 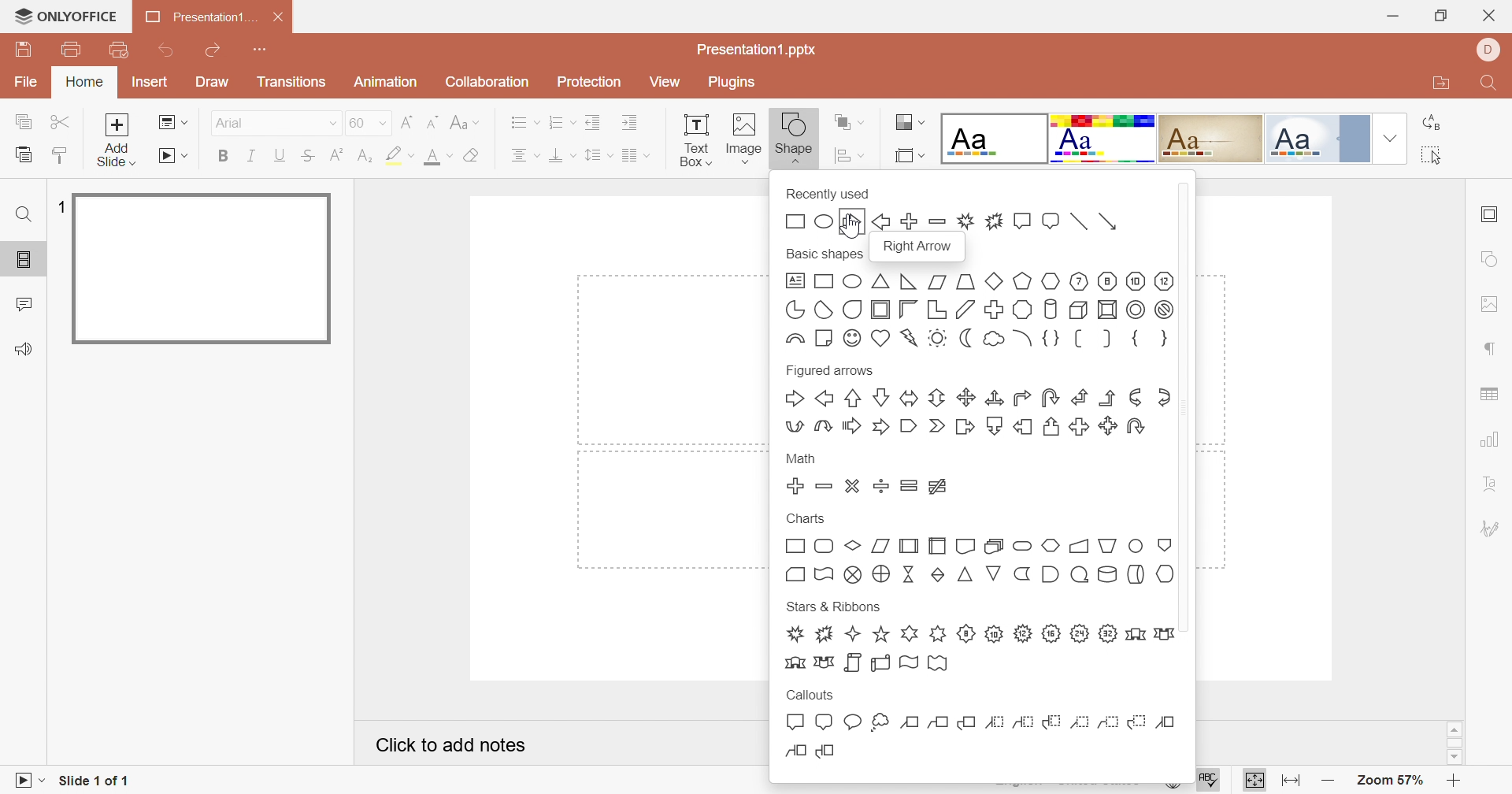 I want to click on Font color, so click(x=438, y=157).